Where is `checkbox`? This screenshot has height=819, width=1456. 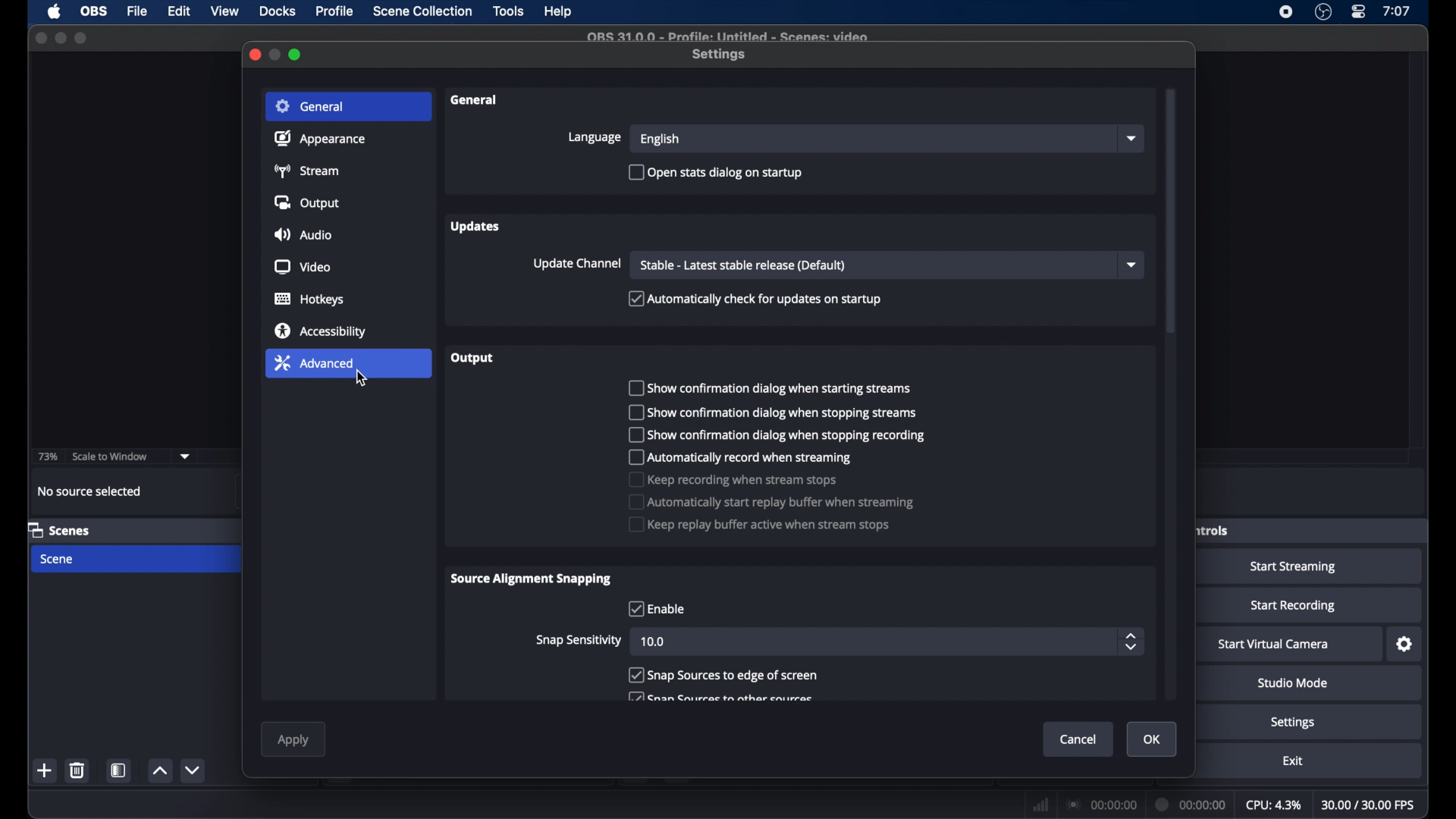 checkbox is located at coordinates (766, 387).